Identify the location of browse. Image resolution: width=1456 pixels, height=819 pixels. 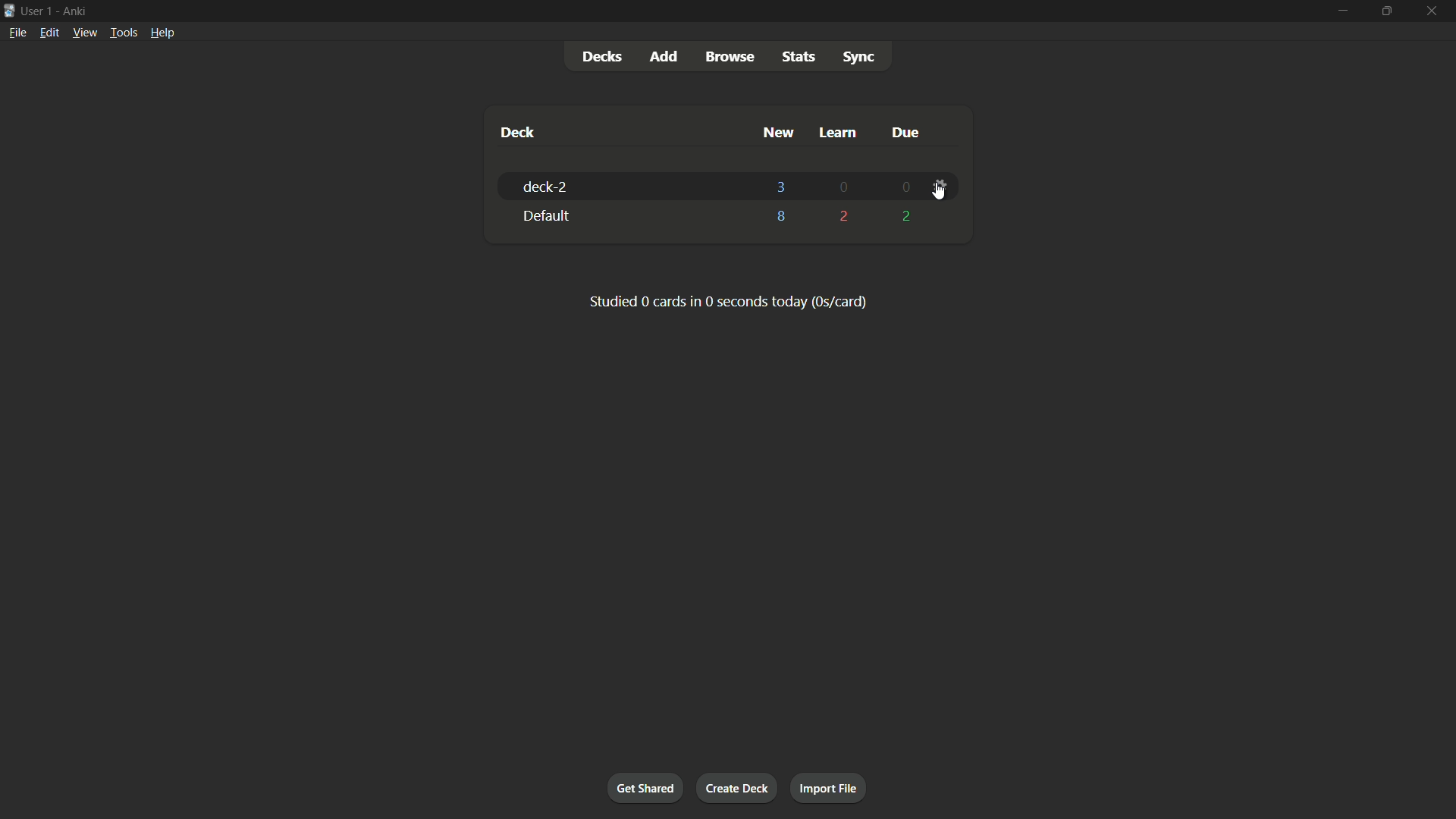
(730, 56).